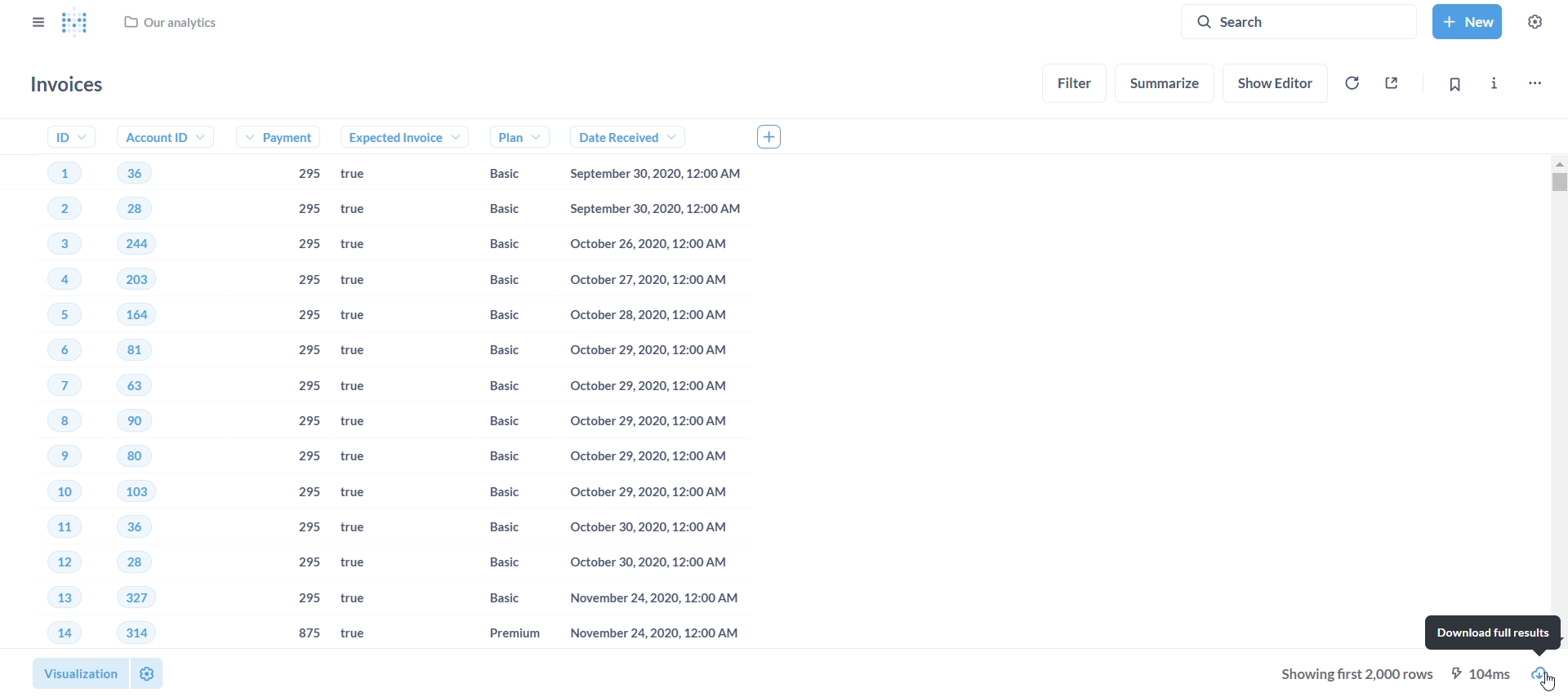  Describe the element at coordinates (648, 317) in the screenshot. I see `October 28, 2020, 12:00 AM` at that location.